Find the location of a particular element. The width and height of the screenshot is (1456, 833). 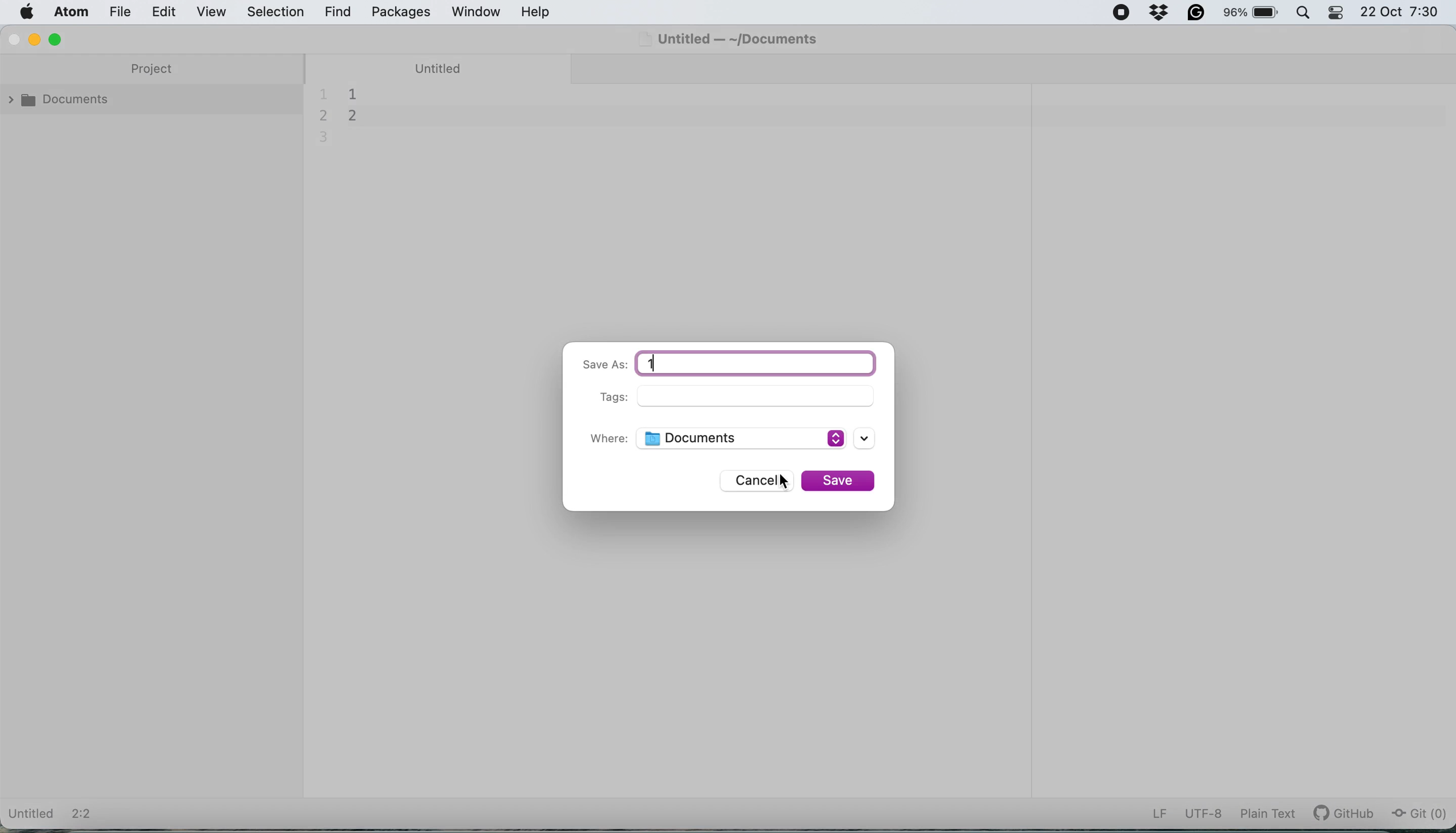

battery is located at coordinates (1247, 15).